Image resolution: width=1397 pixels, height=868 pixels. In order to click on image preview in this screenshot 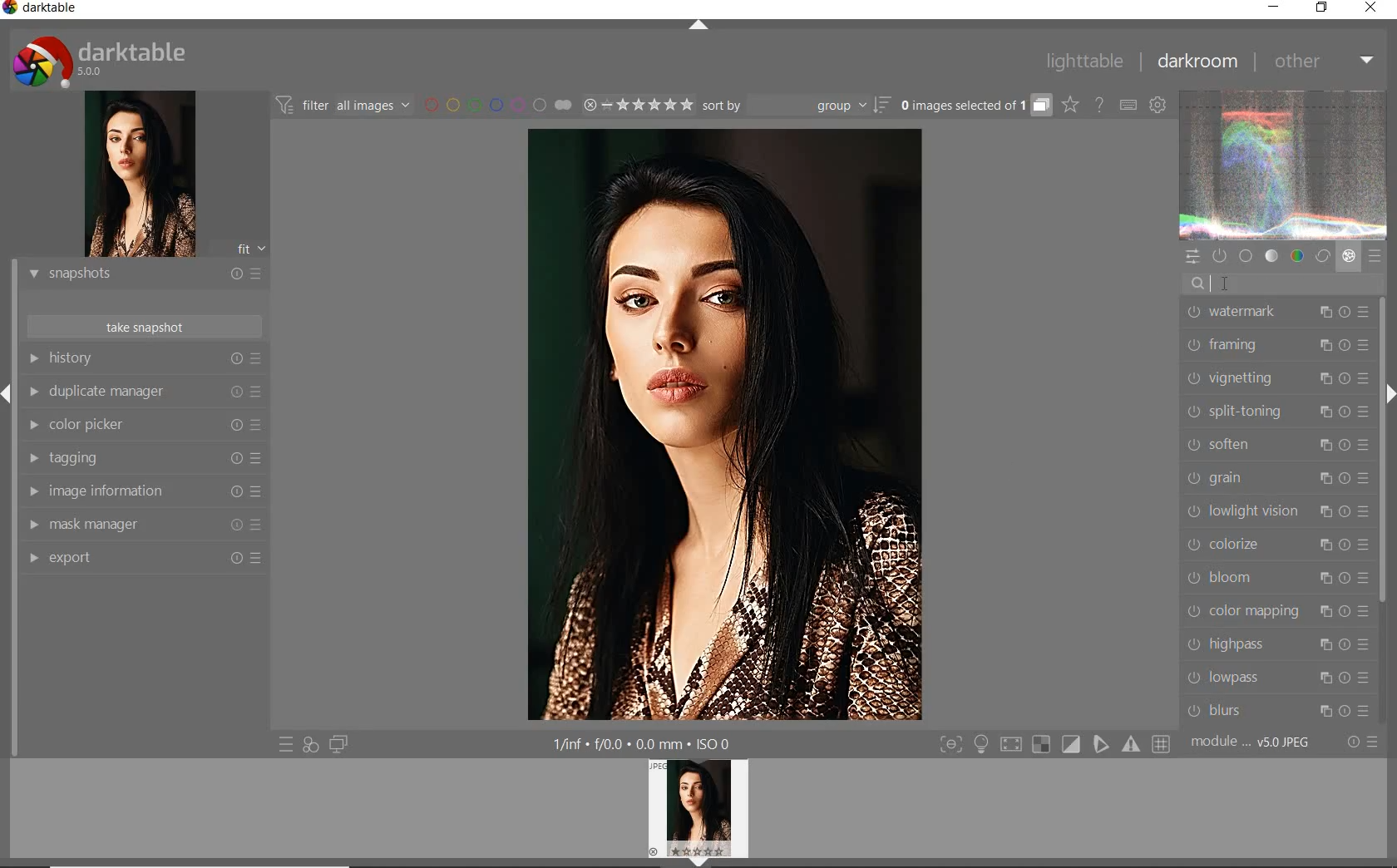, I will do `click(134, 174)`.